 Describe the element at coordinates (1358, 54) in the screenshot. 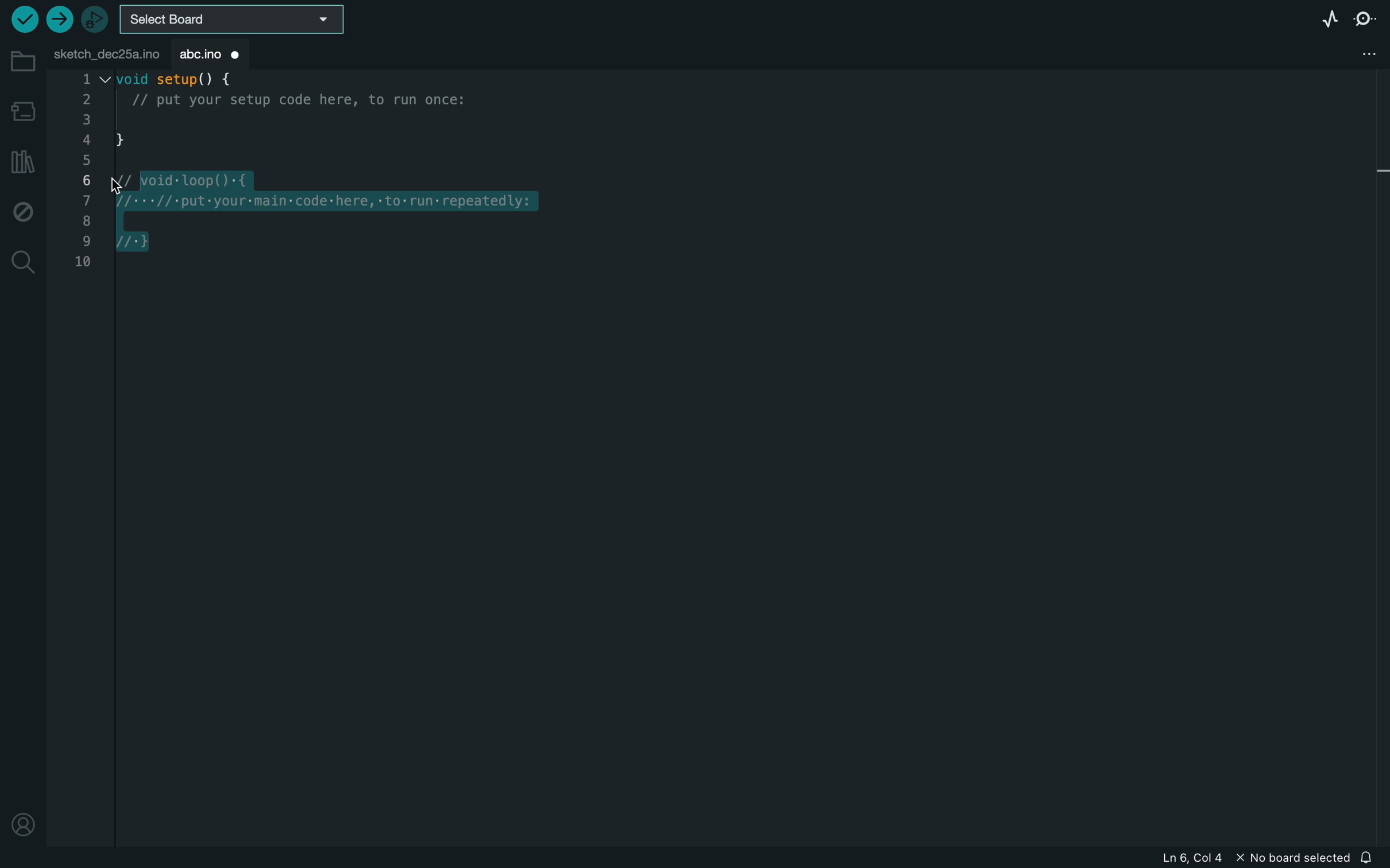

I see `file  settings` at that location.